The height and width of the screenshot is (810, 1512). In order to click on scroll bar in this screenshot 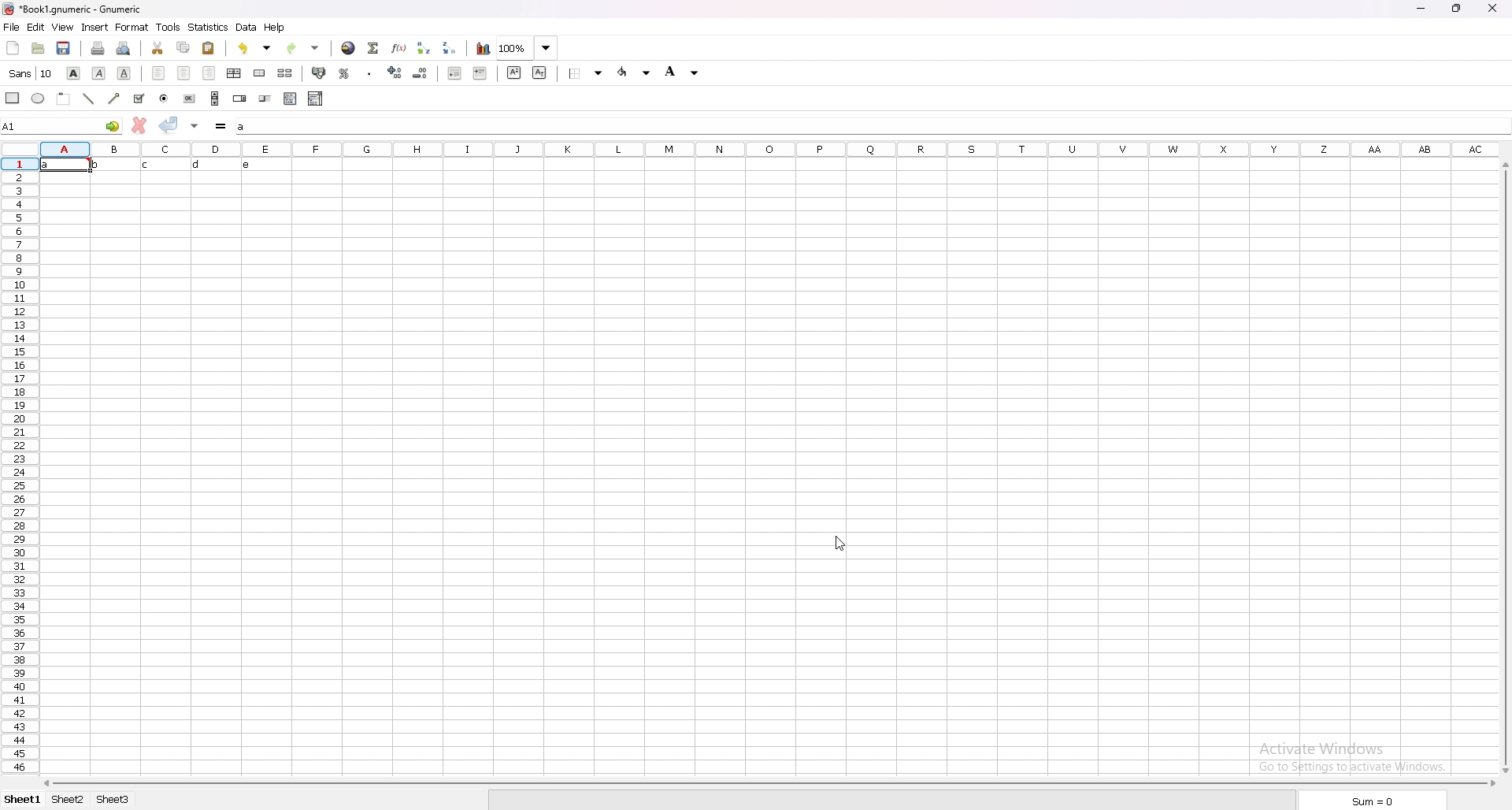, I will do `click(215, 98)`.